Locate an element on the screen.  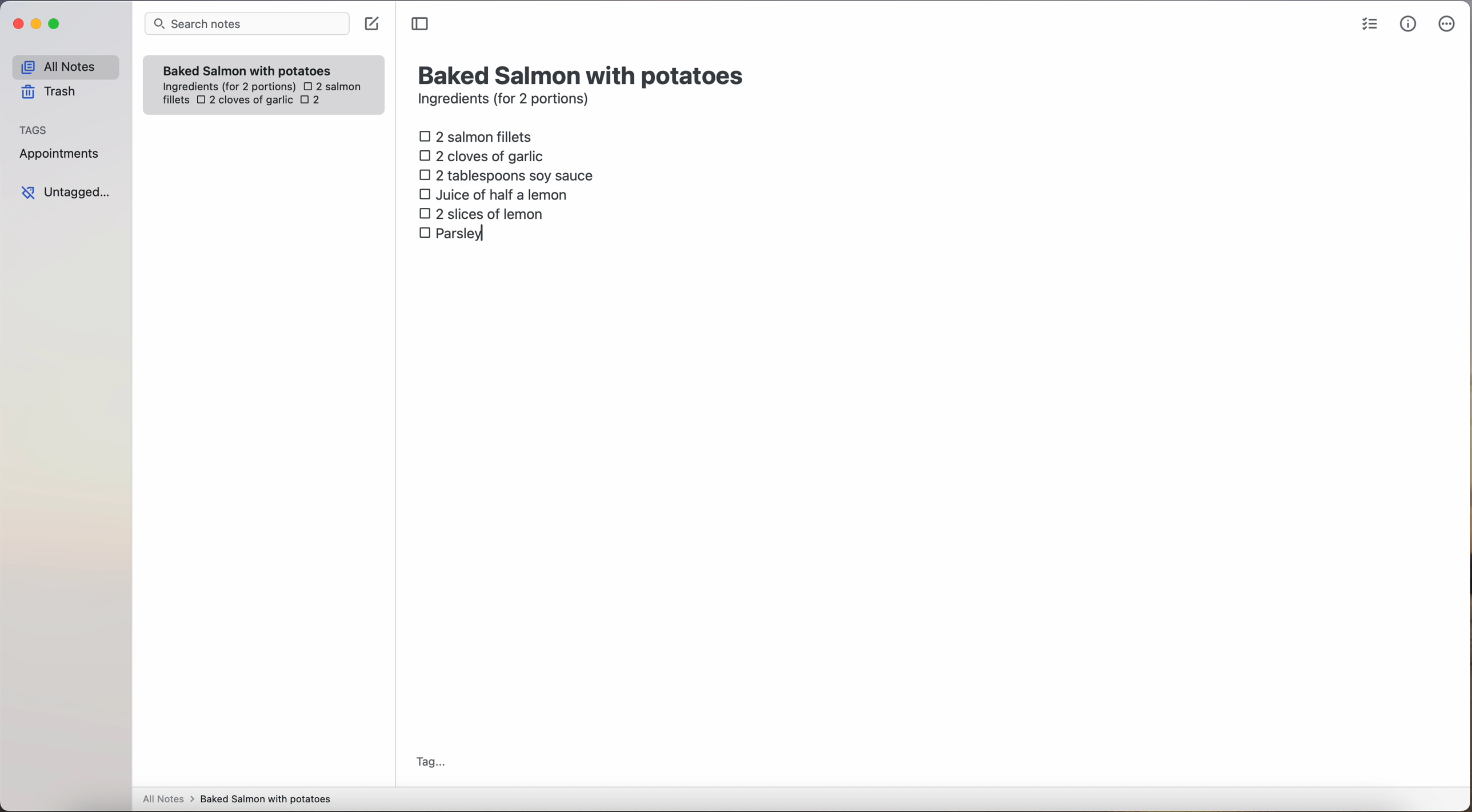
maximize is located at coordinates (56, 23).